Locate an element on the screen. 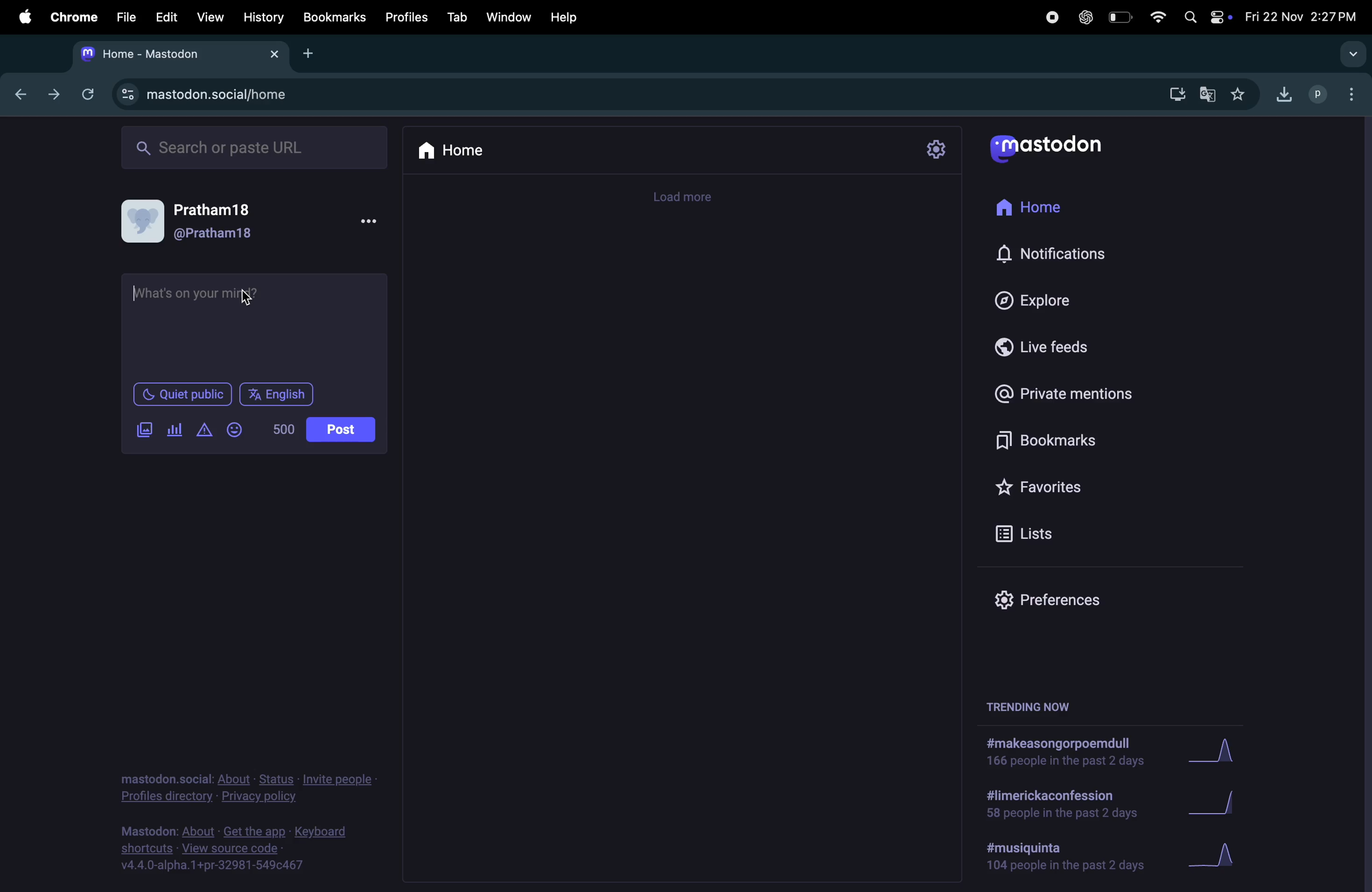 This screenshot has width=1372, height=892. hashtags is located at coordinates (1066, 751).